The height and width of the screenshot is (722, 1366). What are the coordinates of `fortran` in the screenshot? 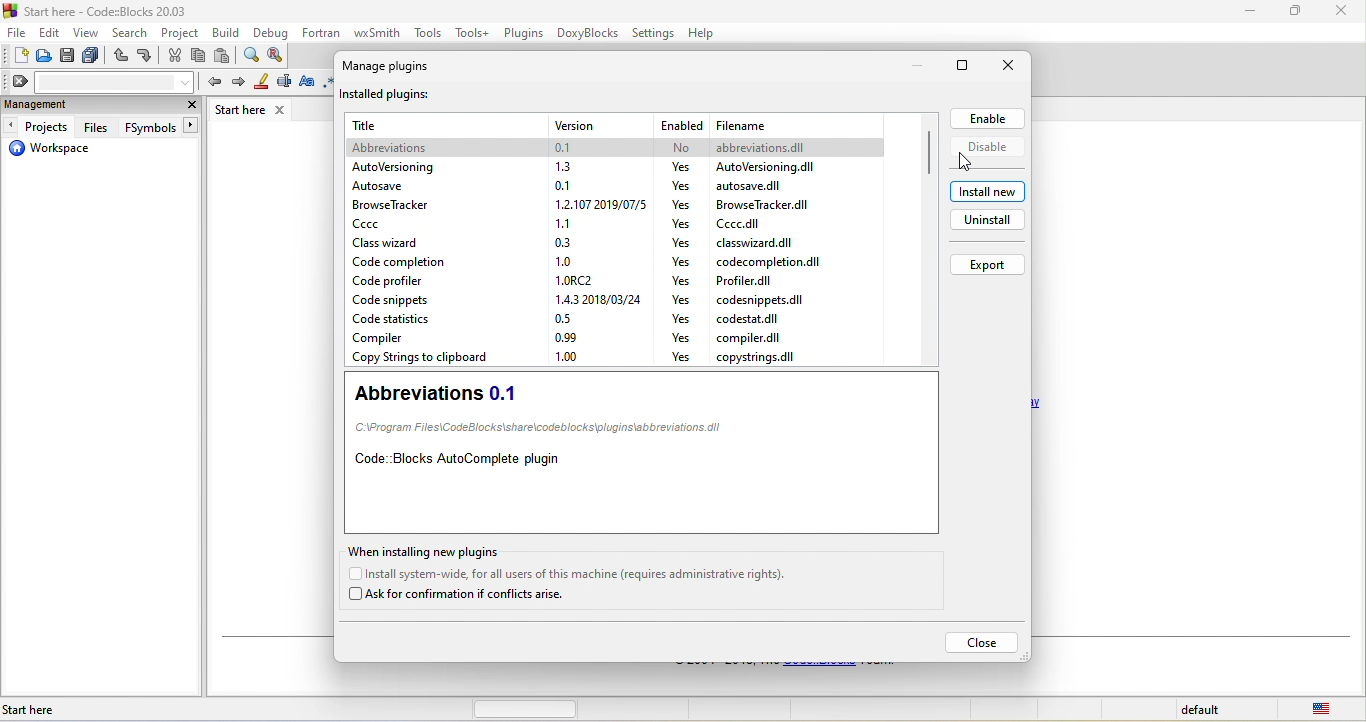 It's located at (320, 30).